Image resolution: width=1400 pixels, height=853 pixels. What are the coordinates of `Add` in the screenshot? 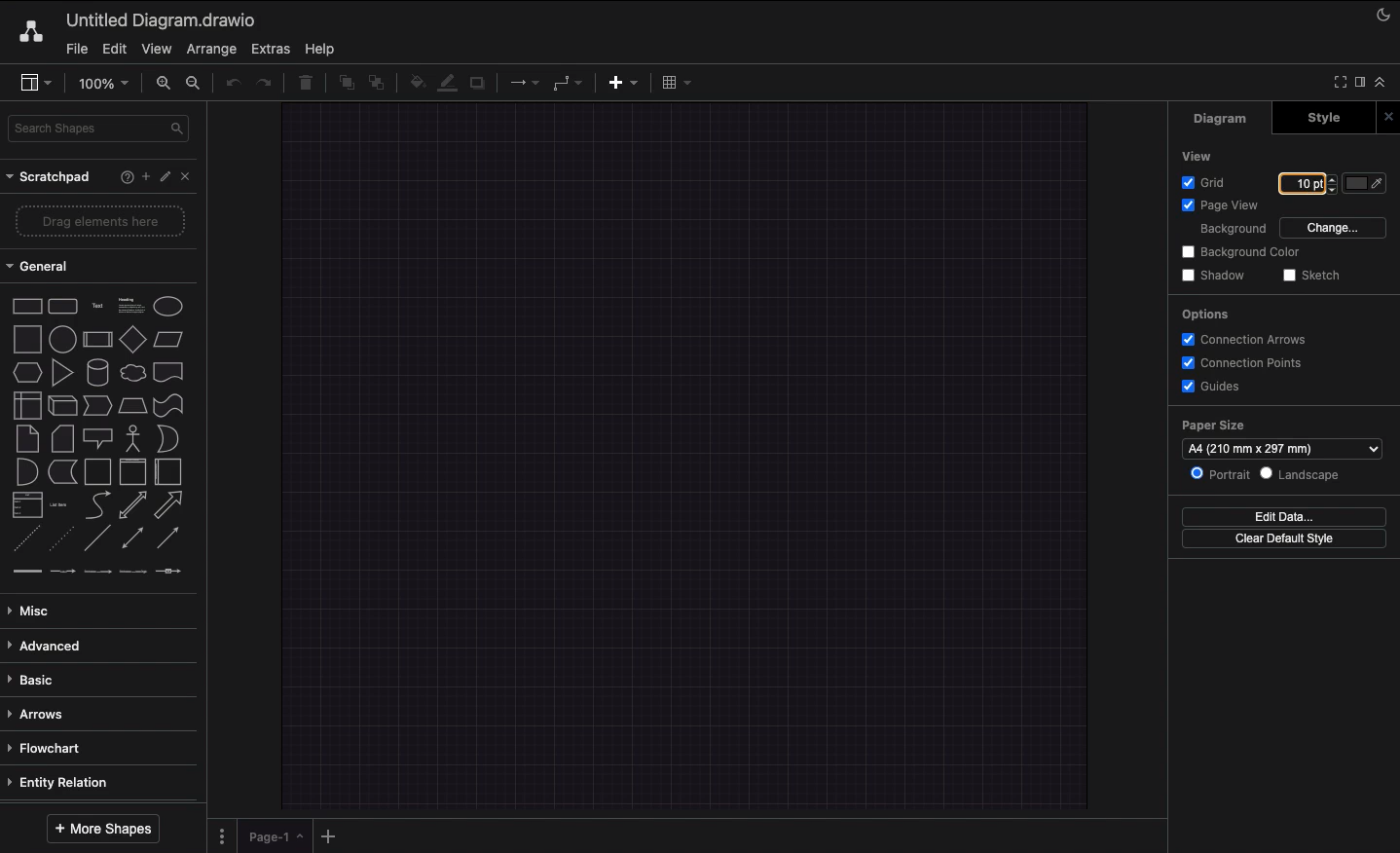 It's located at (142, 176).